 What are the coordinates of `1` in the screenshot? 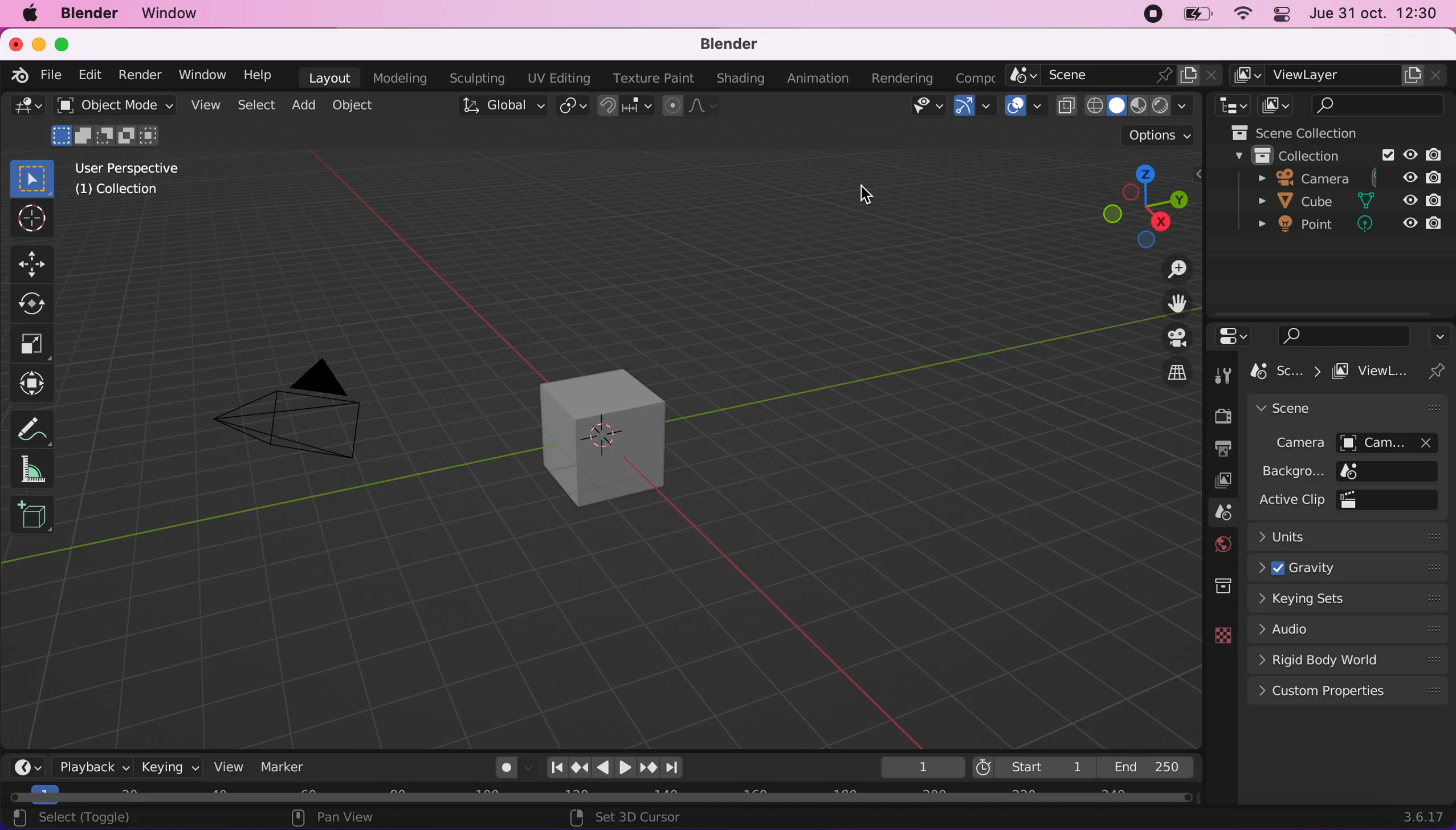 It's located at (911, 765).